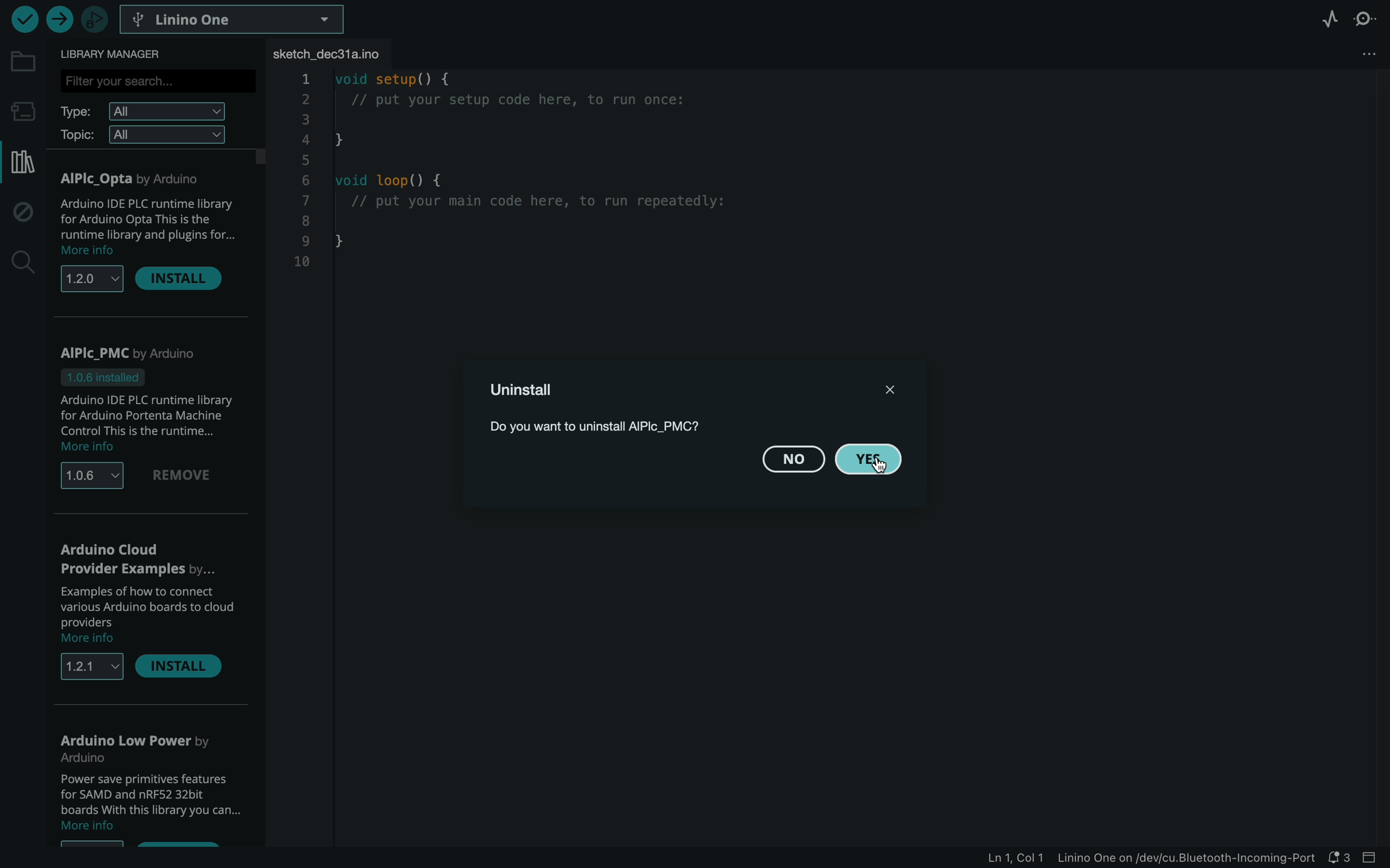 This screenshot has width=1390, height=868. What do you see at coordinates (21, 164) in the screenshot?
I see `library manager` at bounding box center [21, 164].